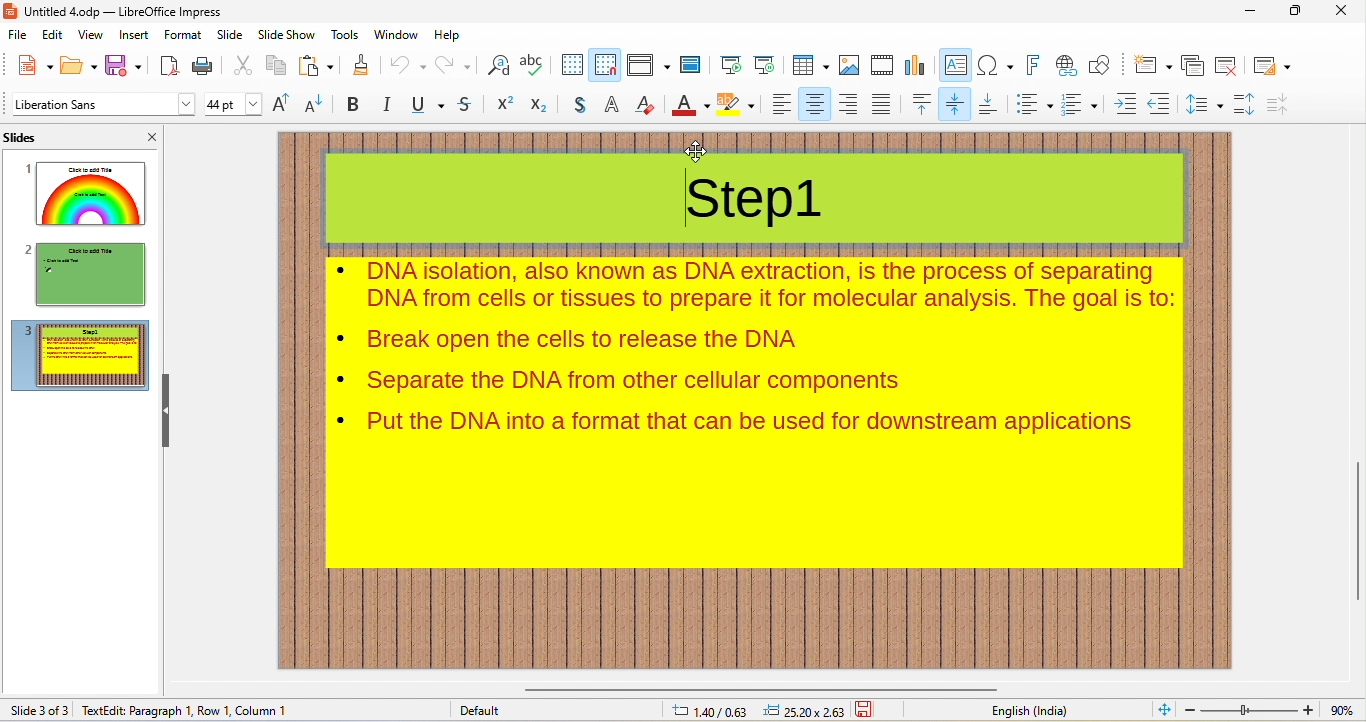 The height and width of the screenshot is (722, 1366). What do you see at coordinates (317, 67) in the screenshot?
I see `paste` at bounding box center [317, 67].